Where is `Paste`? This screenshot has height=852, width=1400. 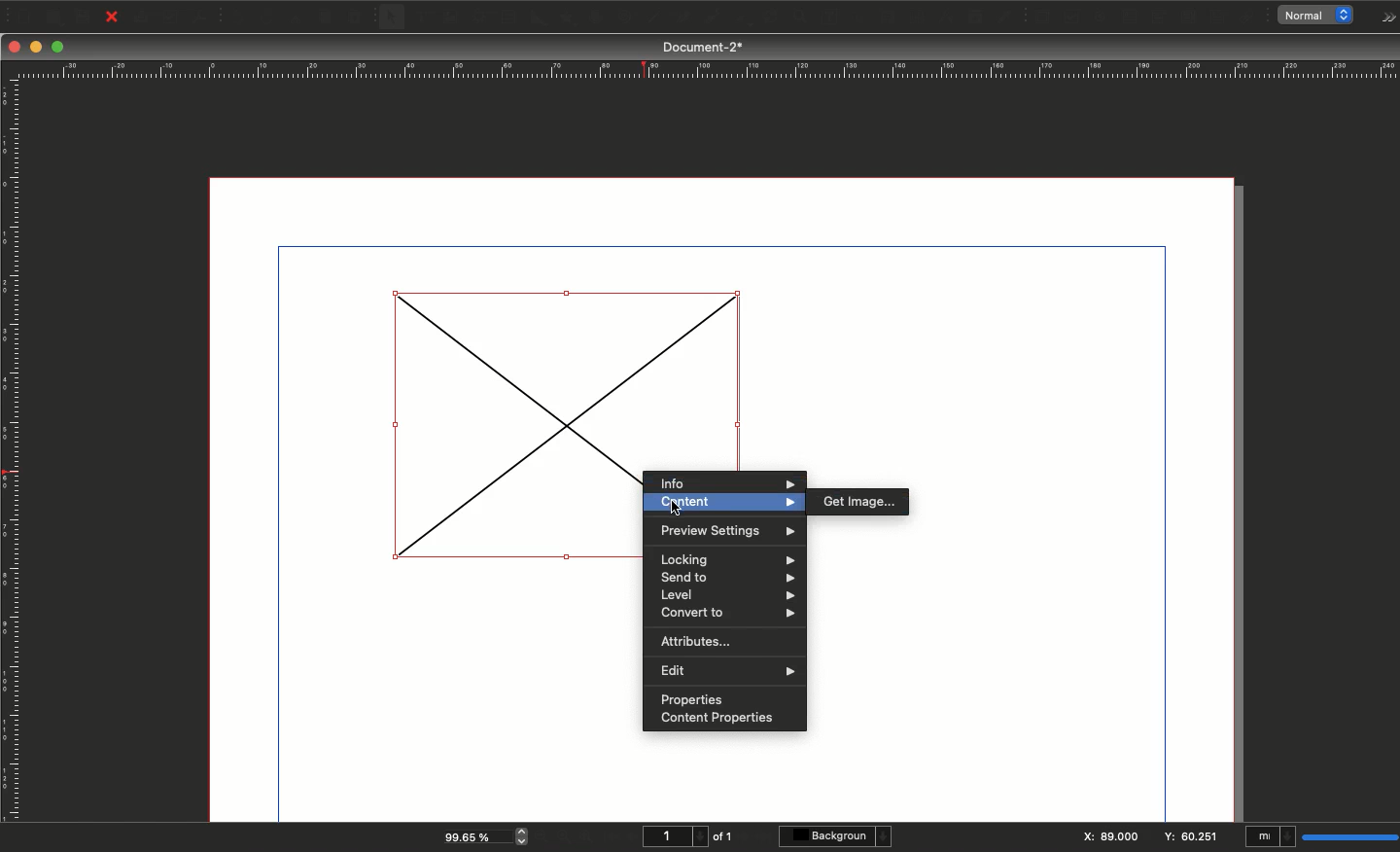
Paste is located at coordinates (361, 18).